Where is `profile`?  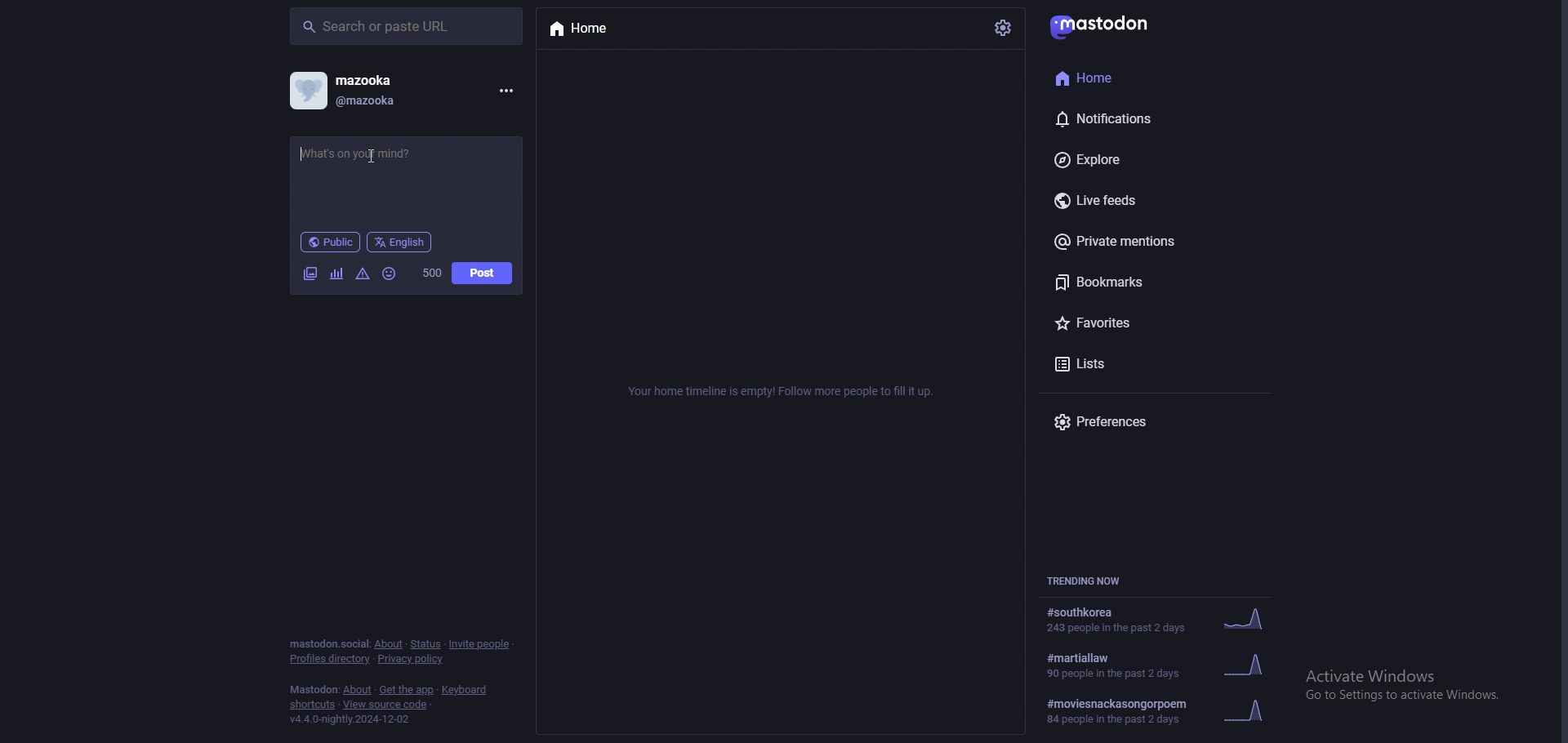
profile is located at coordinates (308, 91).